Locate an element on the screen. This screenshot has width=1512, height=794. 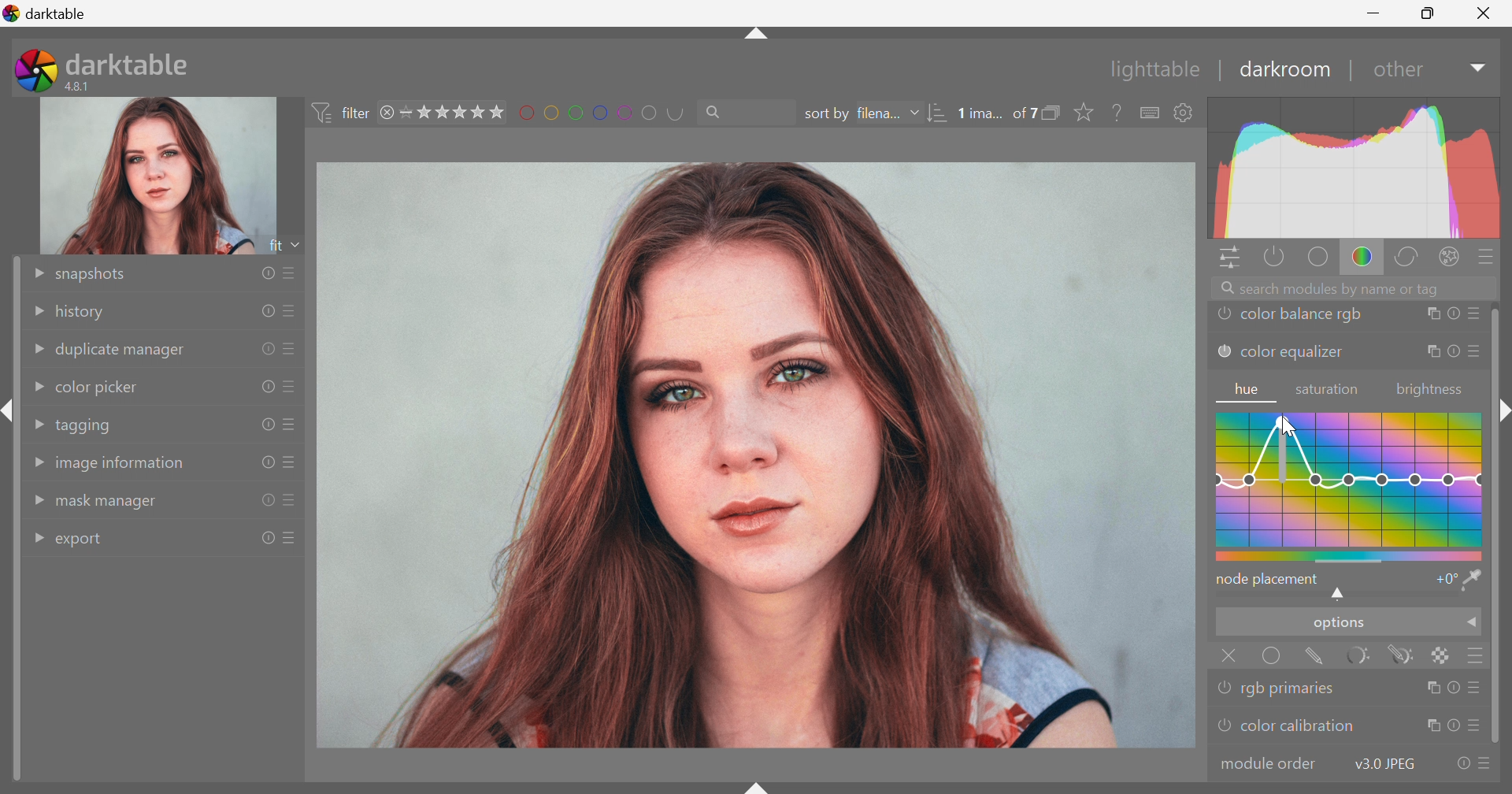
click to change type of overlays shown on thumbnails is located at coordinates (1088, 113).